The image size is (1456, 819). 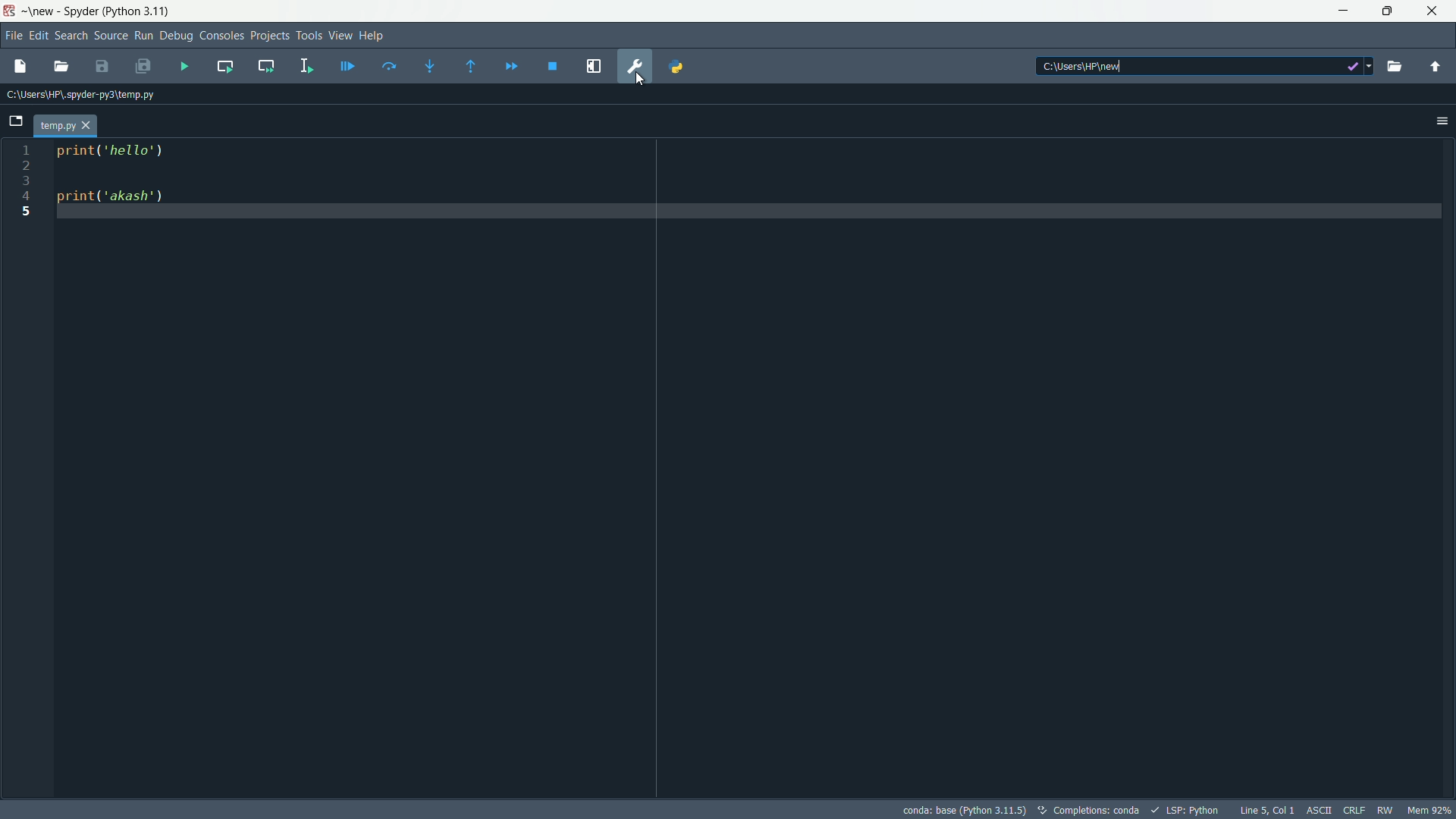 I want to click on dropdown options icon, so click(x=1351, y=65).